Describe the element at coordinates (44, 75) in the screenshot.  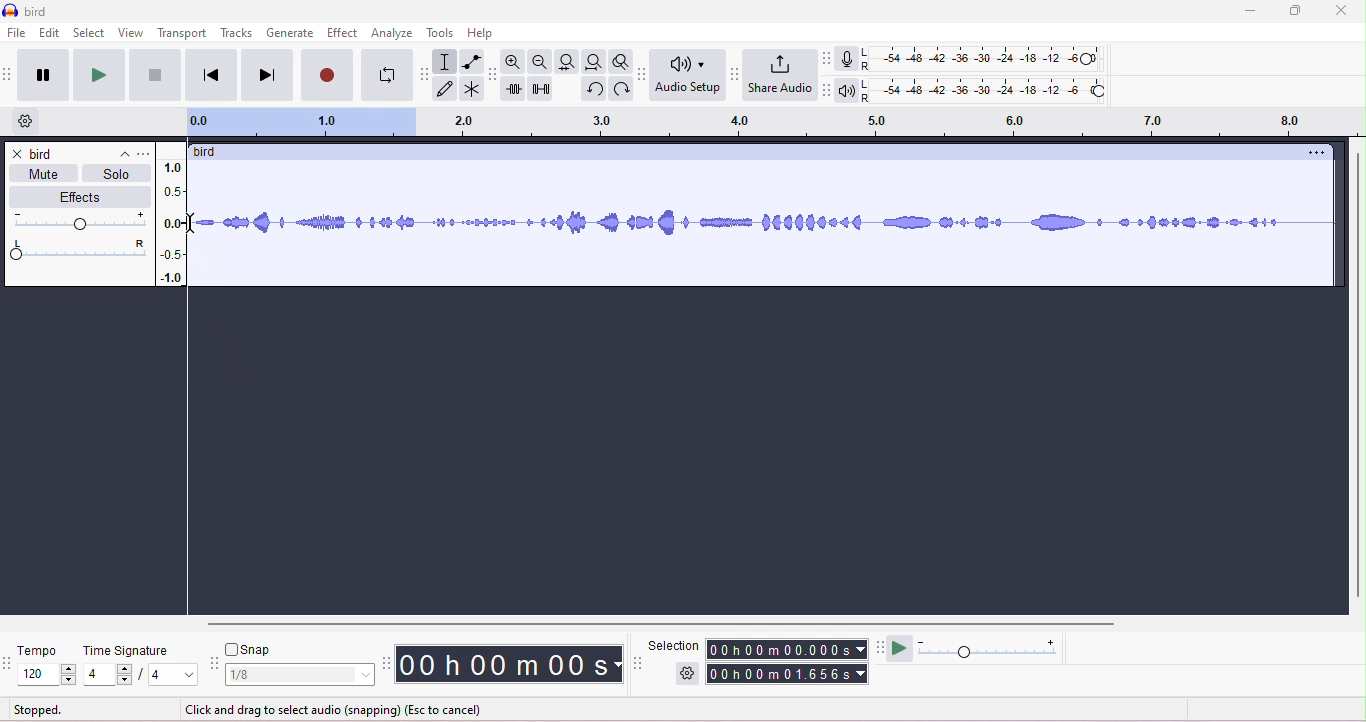
I see `pause` at that location.